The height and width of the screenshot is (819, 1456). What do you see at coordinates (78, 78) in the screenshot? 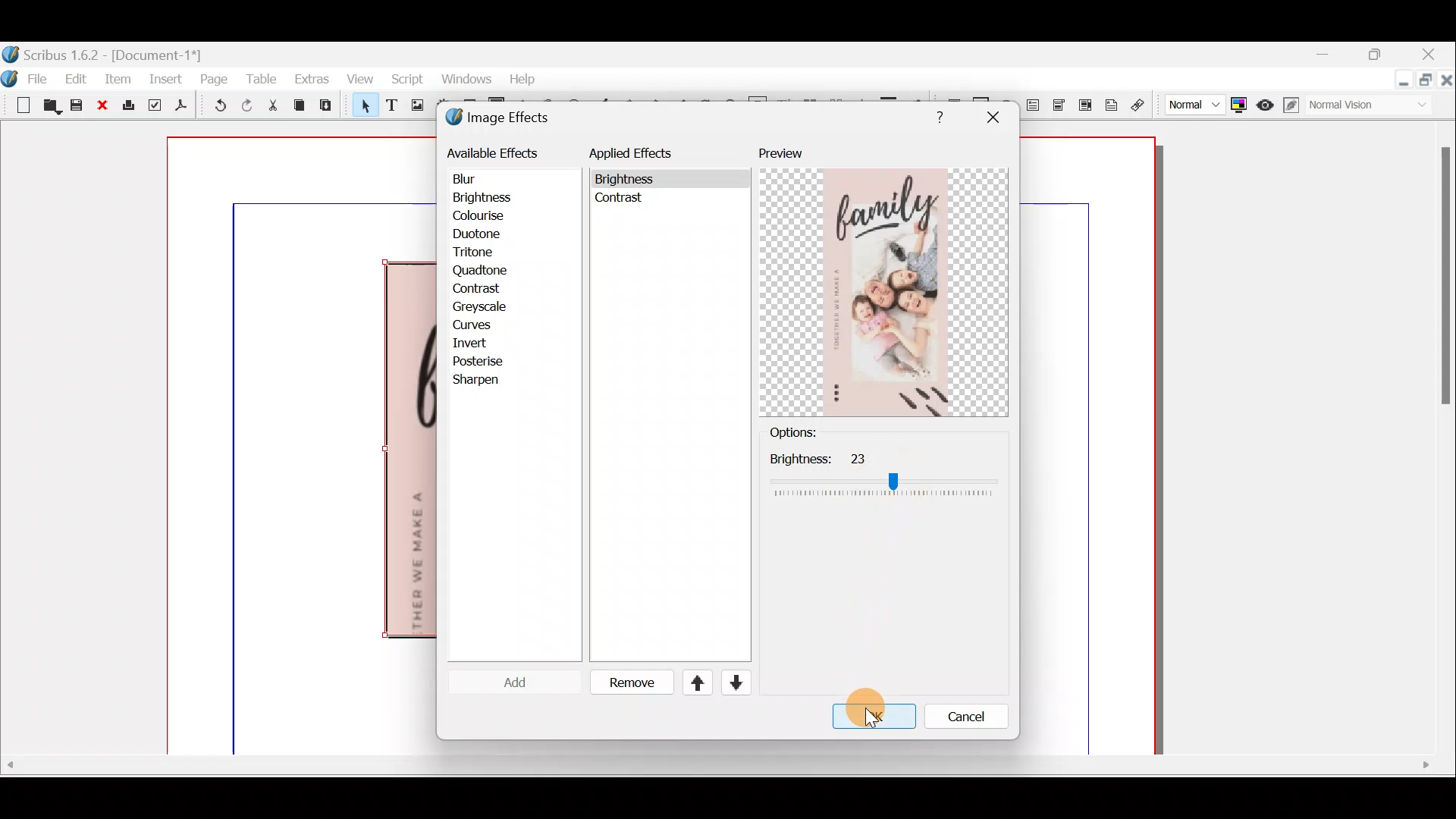
I see `Edit` at bounding box center [78, 78].